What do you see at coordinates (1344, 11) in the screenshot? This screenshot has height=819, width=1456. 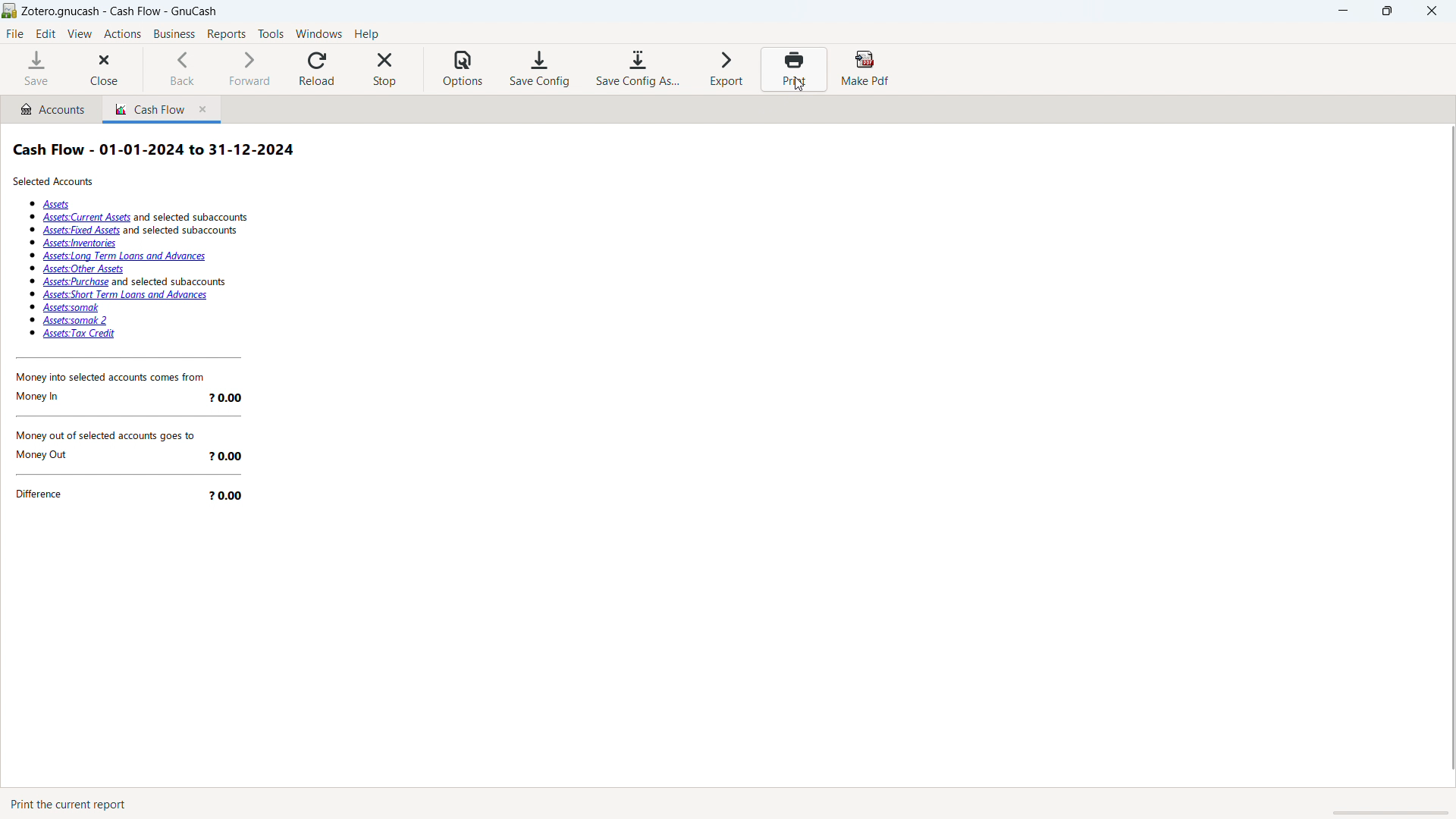 I see `minimize` at bounding box center [1344, 11].